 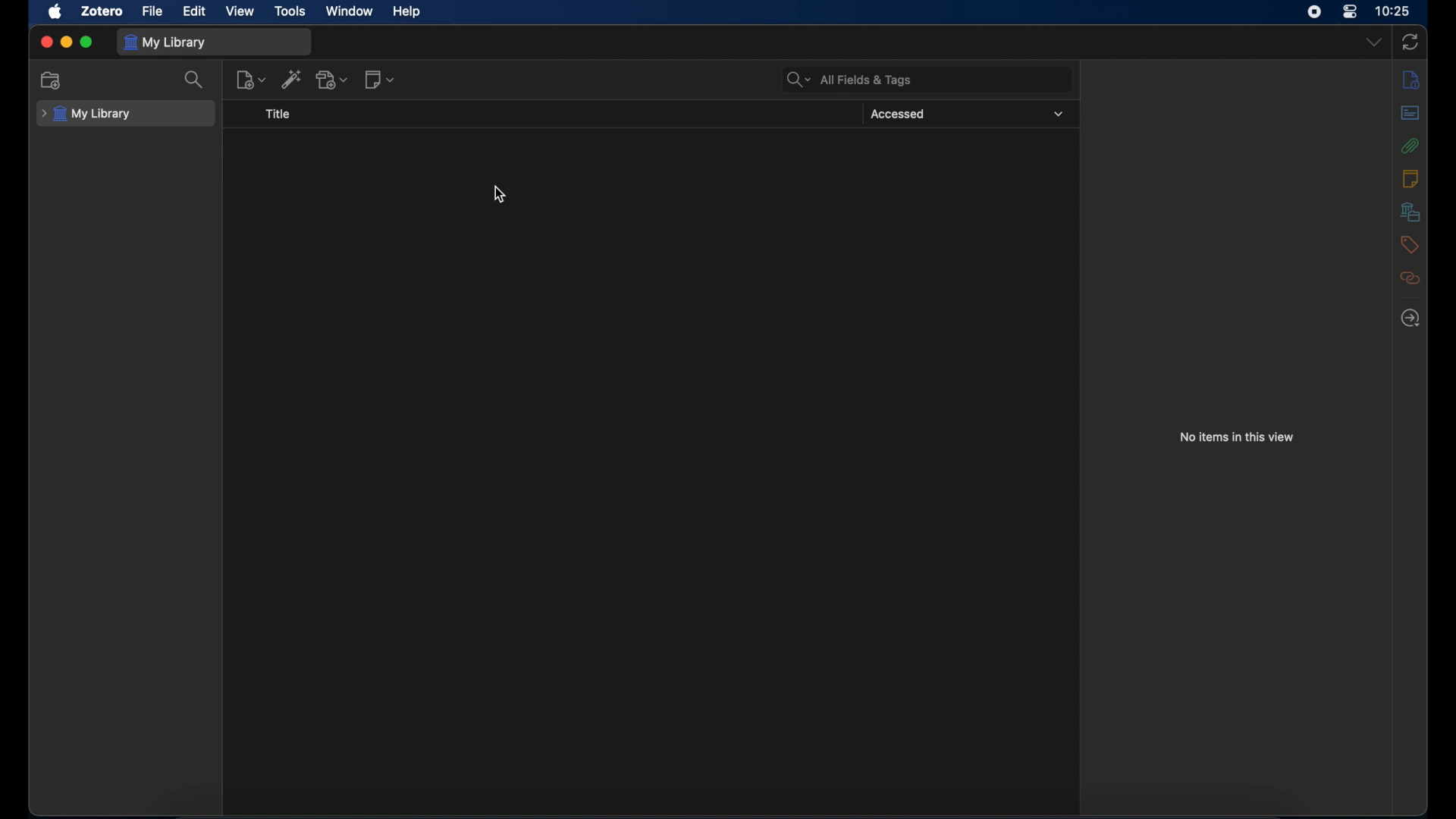 What do you see at coordinates (1410, 212) in the screenshot?
I see `libraries` at bounding box center [1410, 212].